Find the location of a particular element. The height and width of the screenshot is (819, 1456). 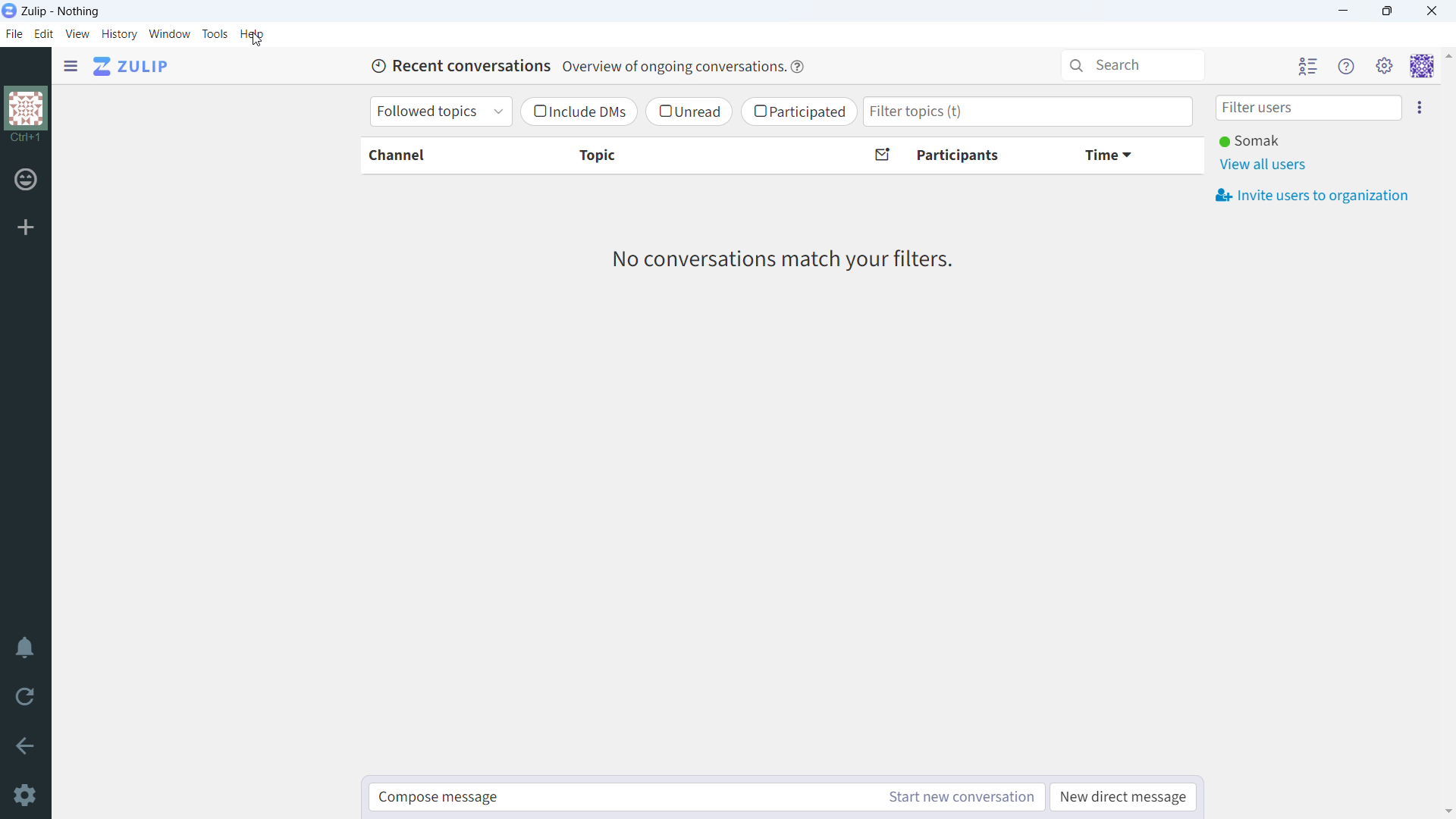

setting is located at coordinates (1385, 65).